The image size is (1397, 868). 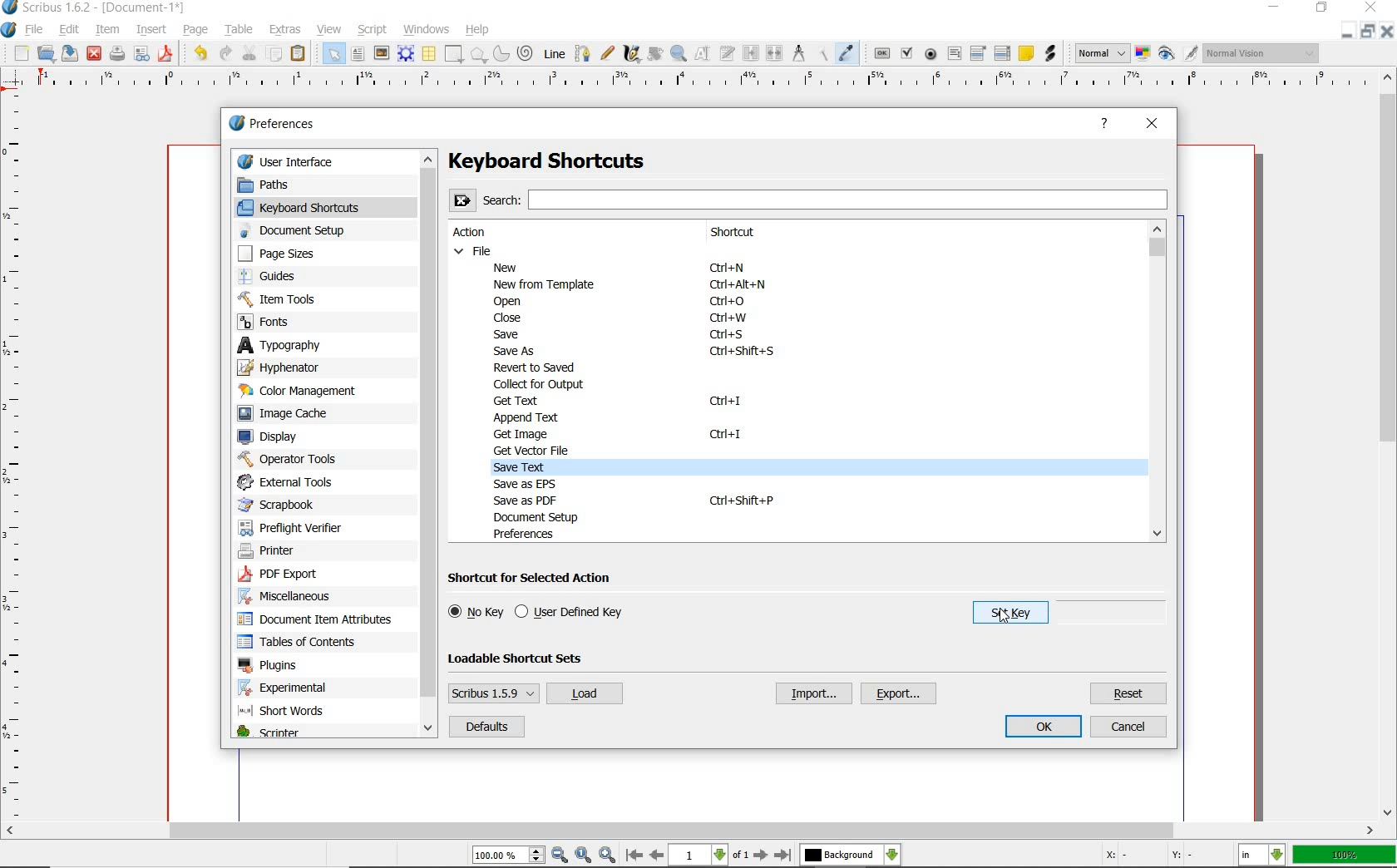 I want to click on short words, so click(x=286, y=713).